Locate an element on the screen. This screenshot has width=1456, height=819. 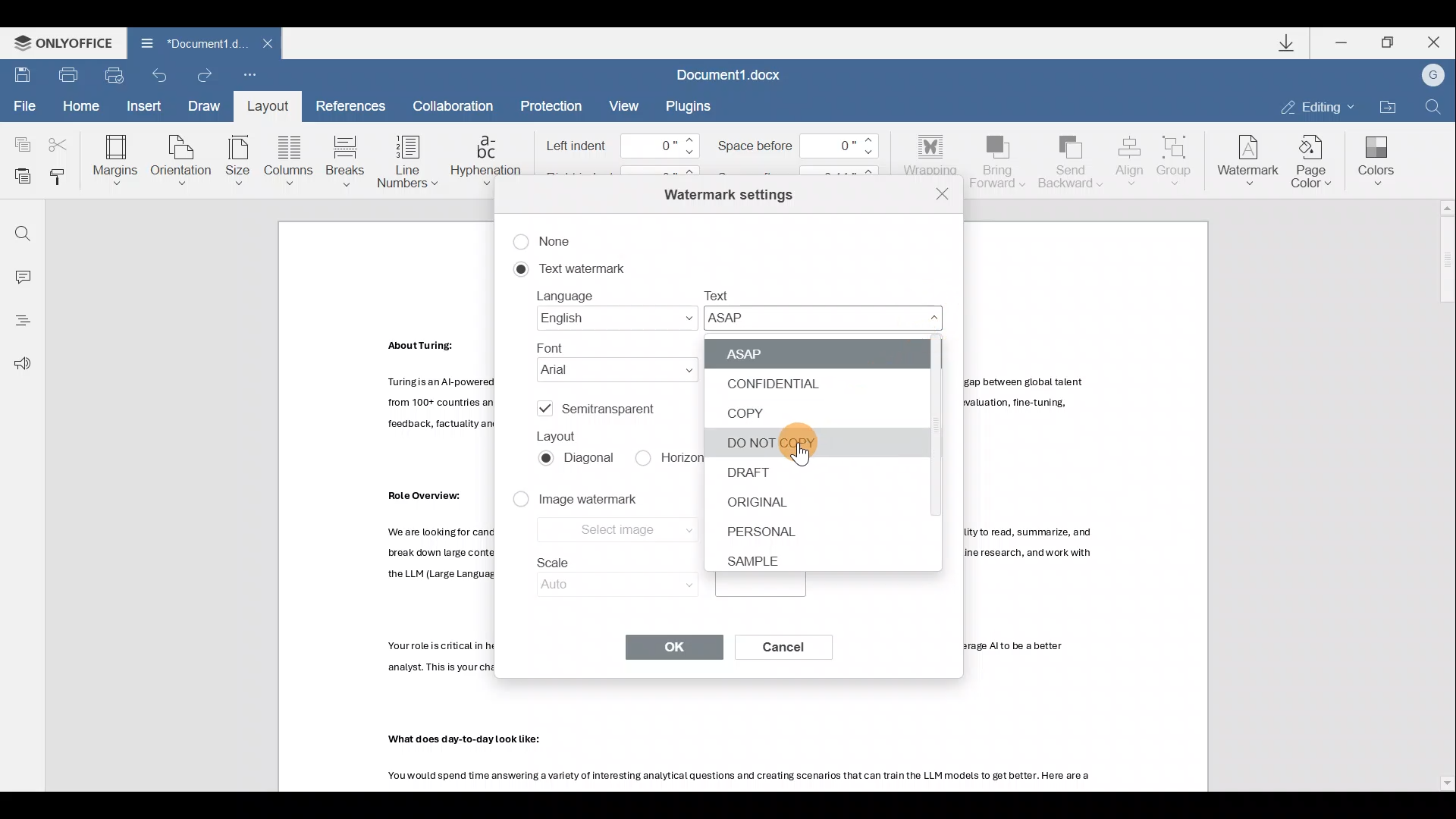
Save is located at coordinates (20, 76).